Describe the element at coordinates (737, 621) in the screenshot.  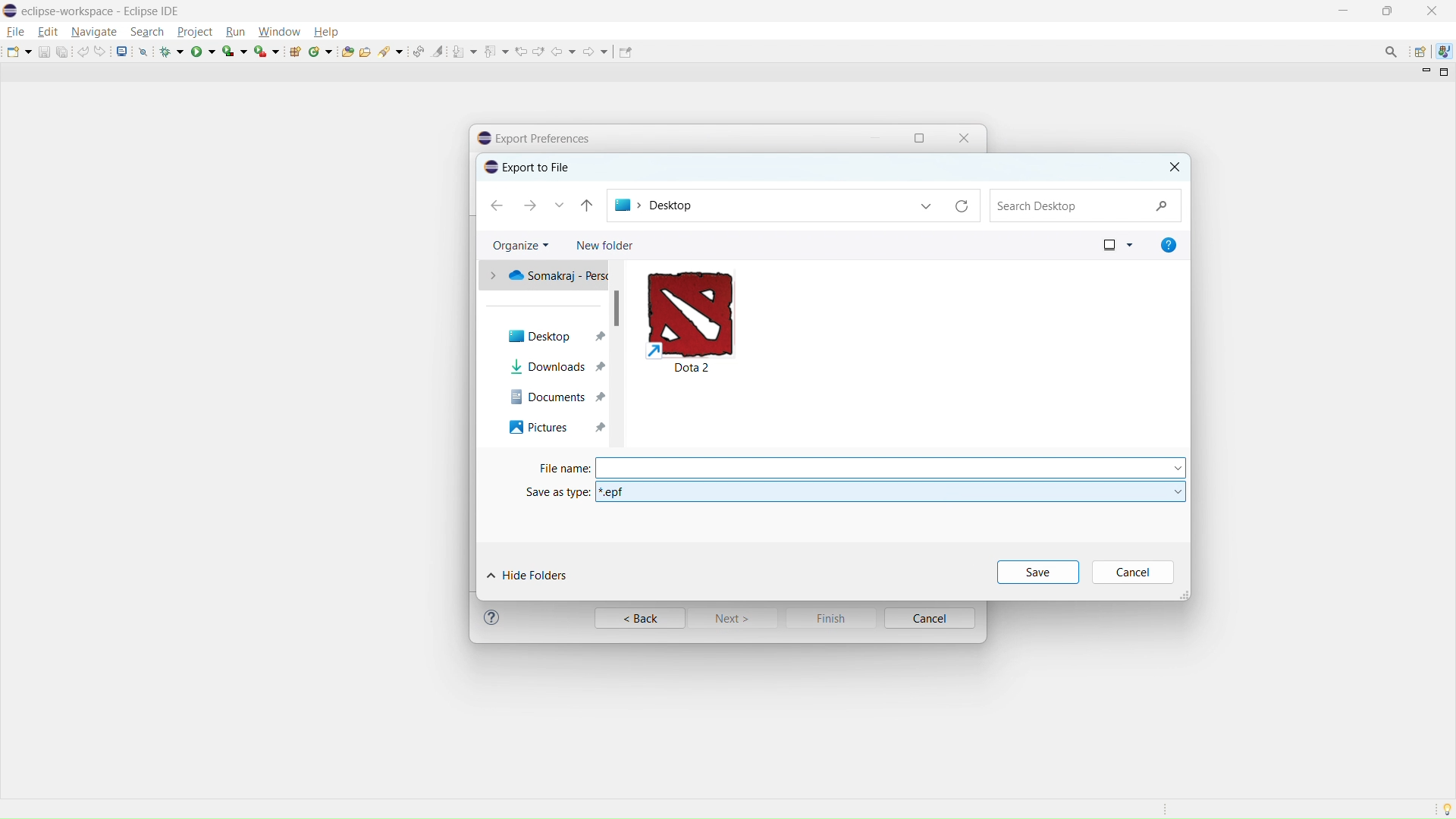
I see `Next` at that location.